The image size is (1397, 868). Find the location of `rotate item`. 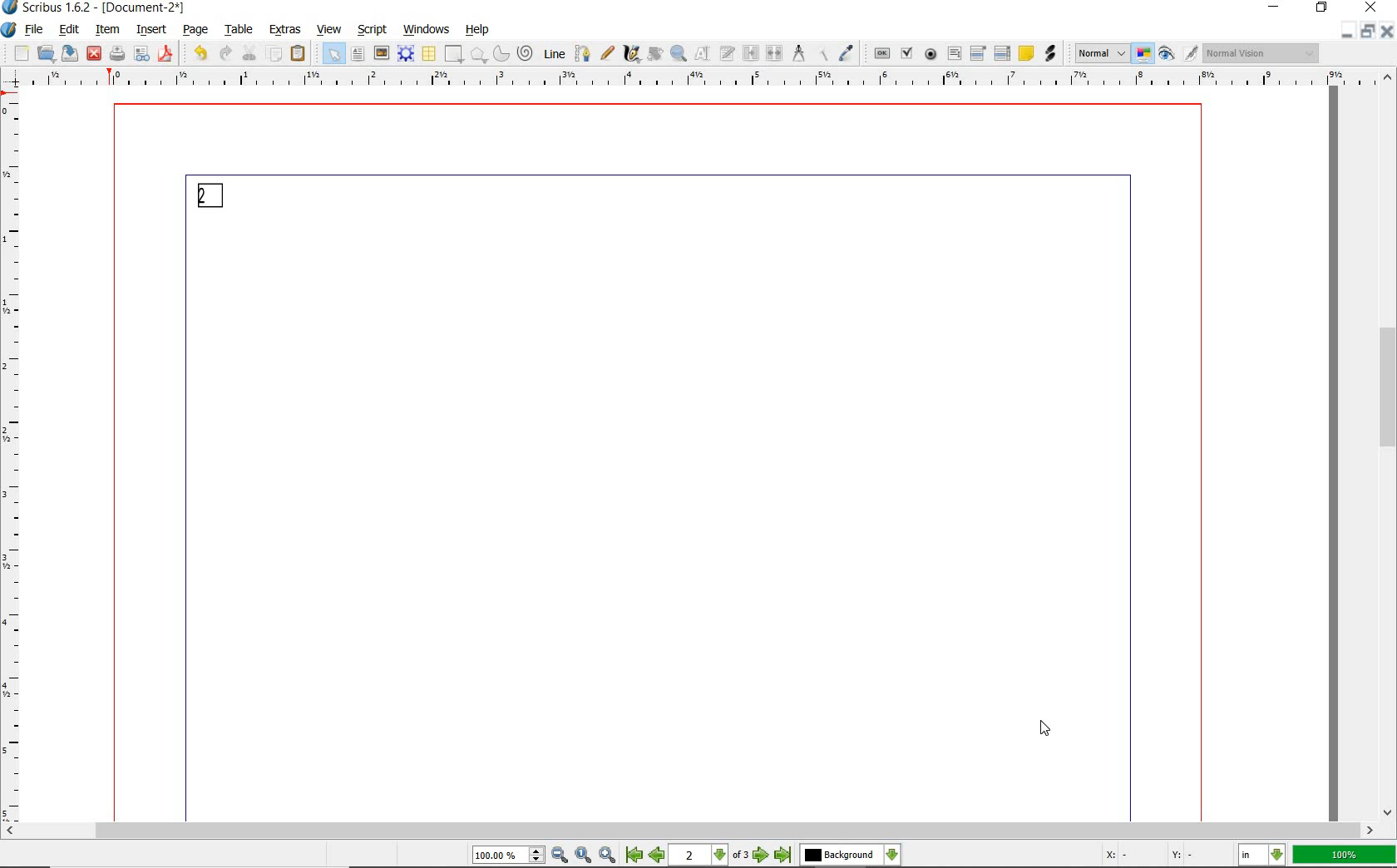

rotate item is located at coordinates (654, 53).